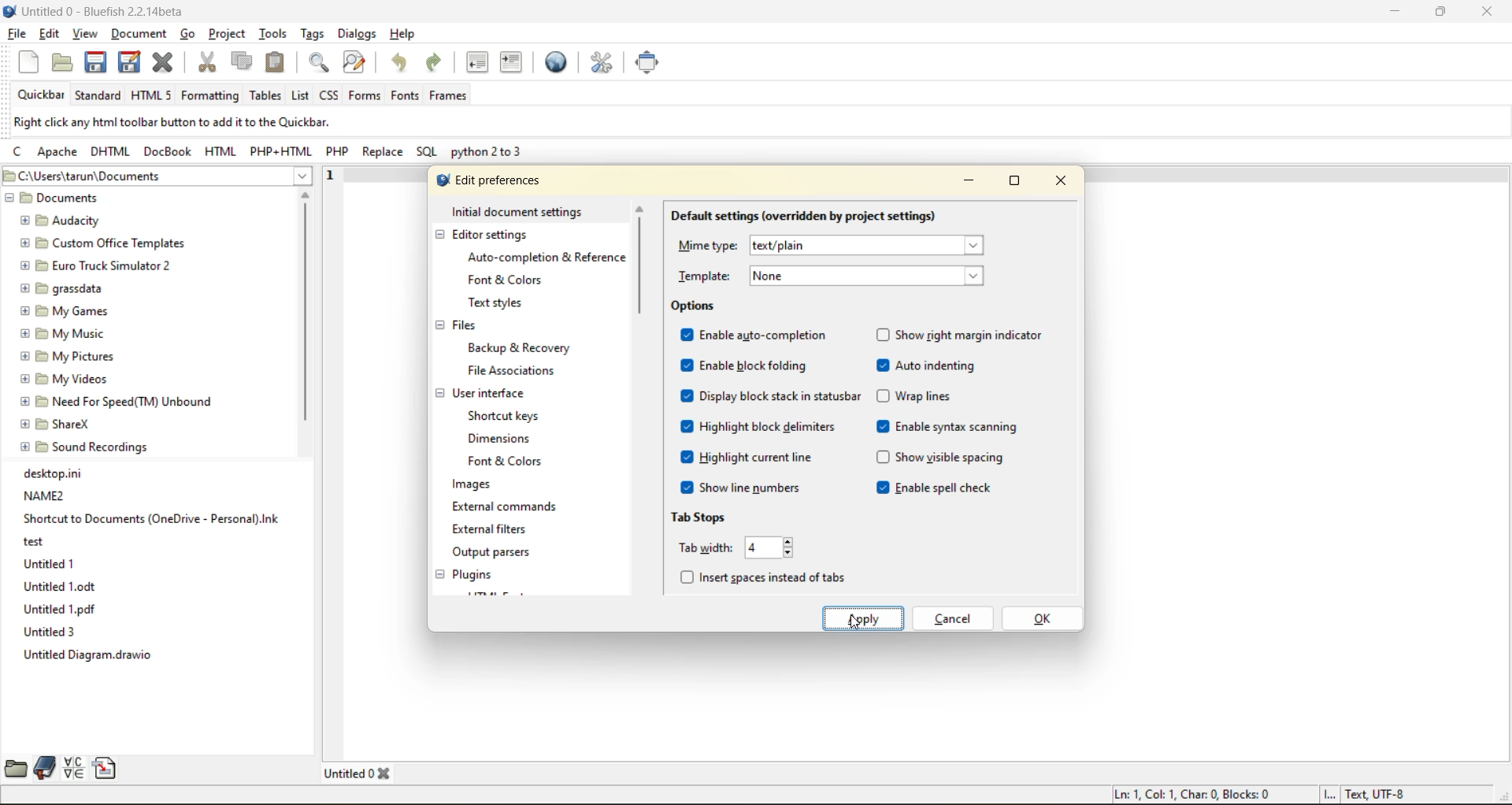 The height and width of the screenshot is (805, 1512). Describe the element at coordinates (743, 488) in the screenshot. I see `show line numbers` at that location.